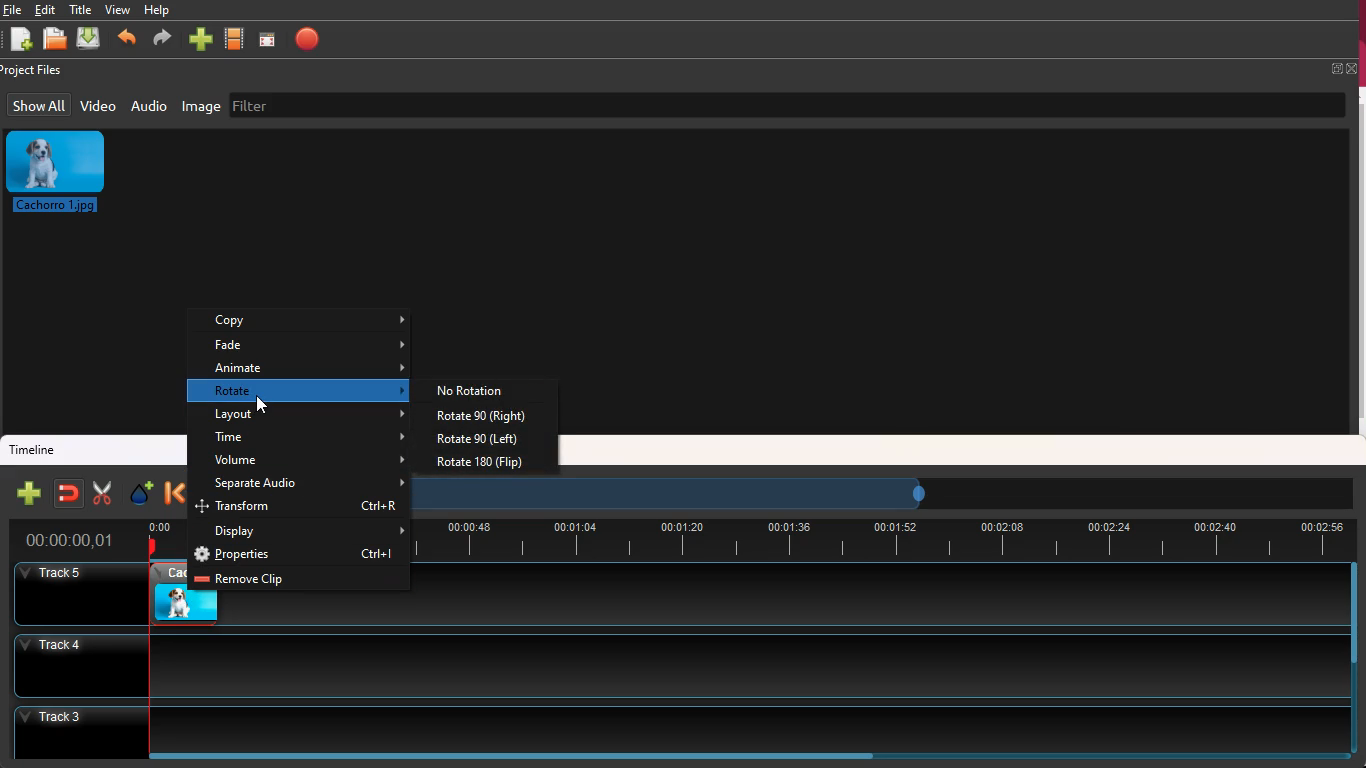 This screenshot has height=768, width=1366. I want to click on display, so click(300, 532).